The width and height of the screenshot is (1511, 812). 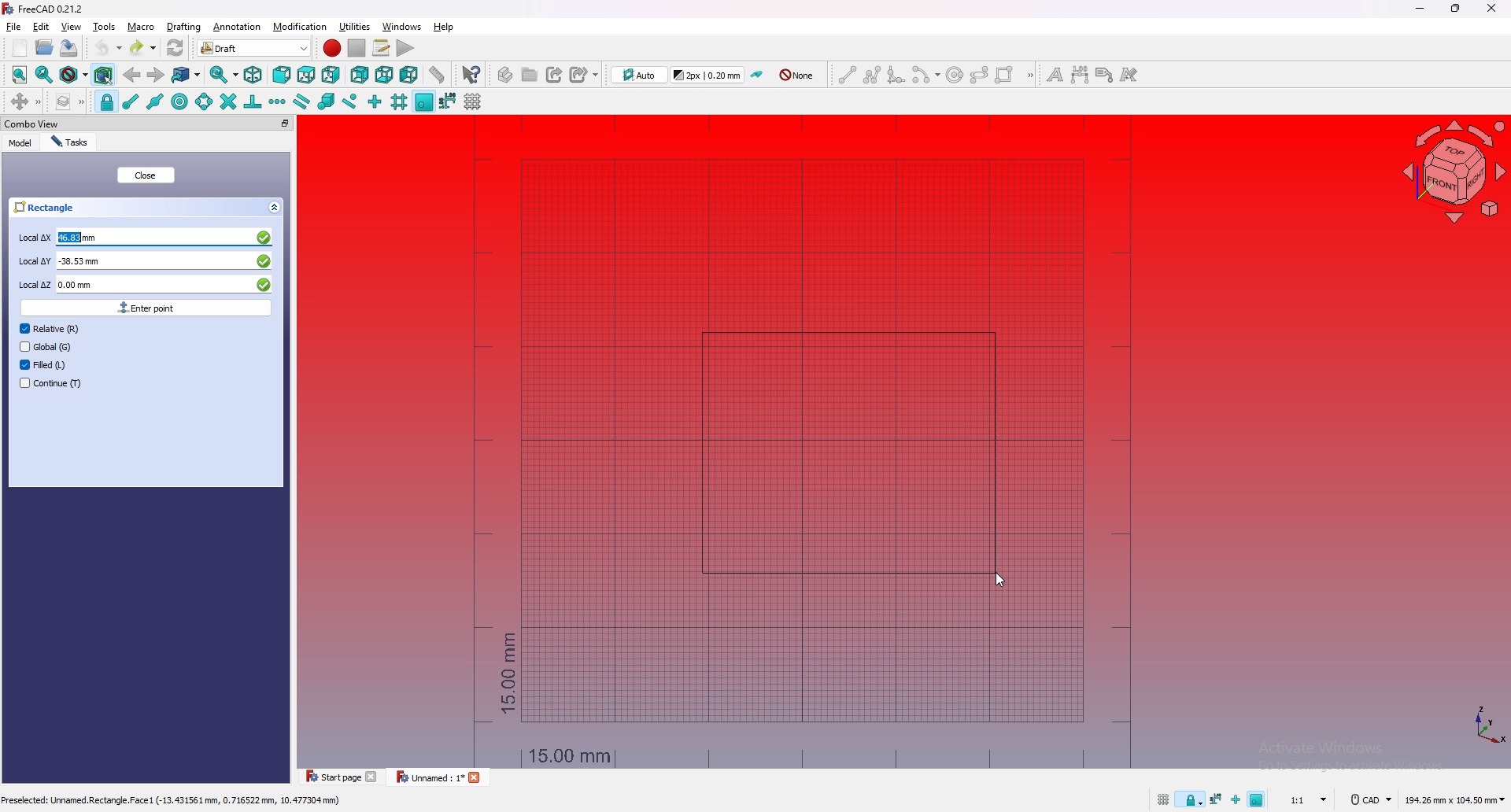 I want to click on snap dimension, so click(x=448, y=100).